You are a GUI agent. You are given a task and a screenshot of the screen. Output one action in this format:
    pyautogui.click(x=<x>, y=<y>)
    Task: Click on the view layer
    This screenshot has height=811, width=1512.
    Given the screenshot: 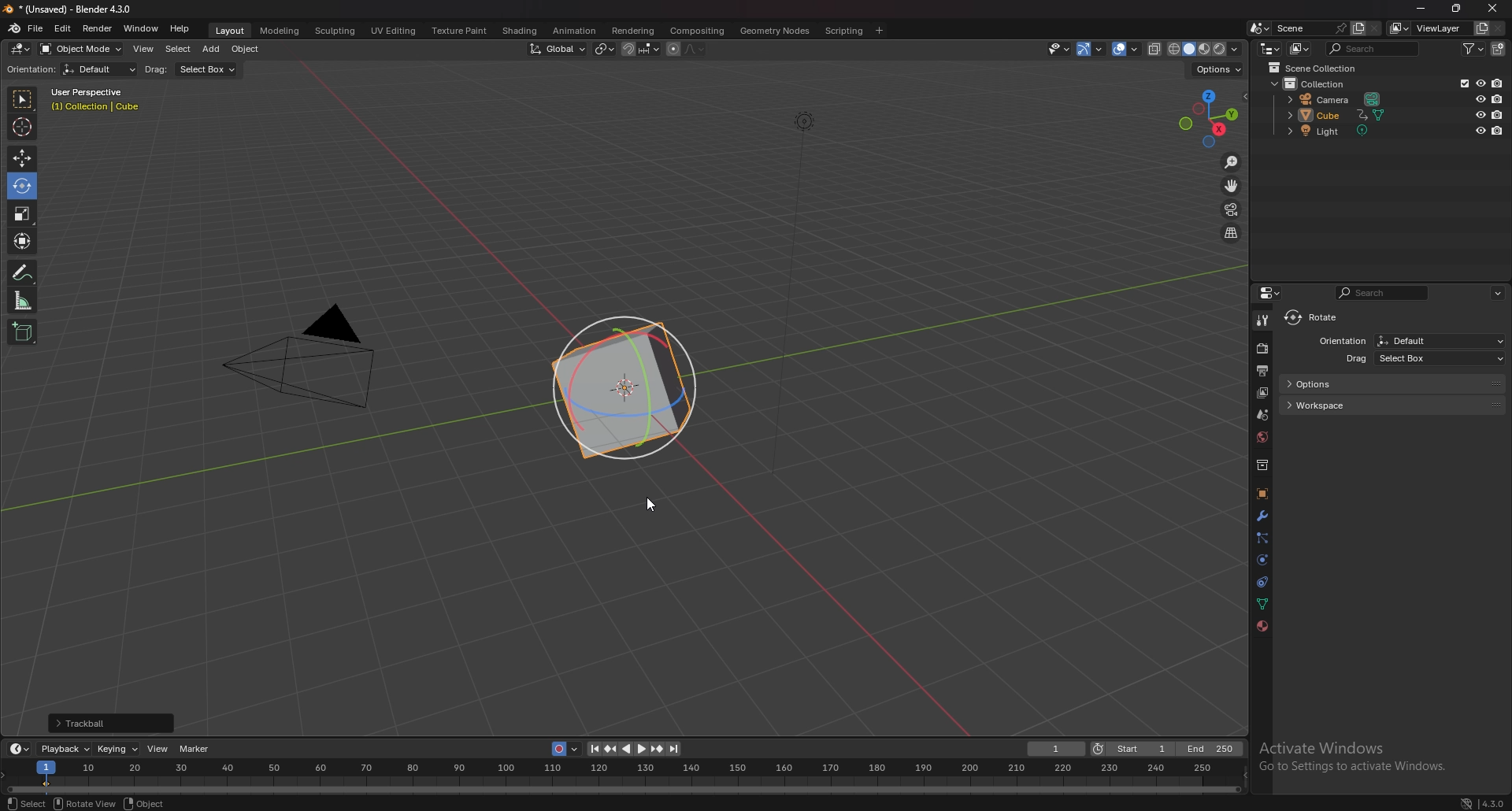 What is the action you would take?
    pyautogui.click(x=1262, y=393)
    